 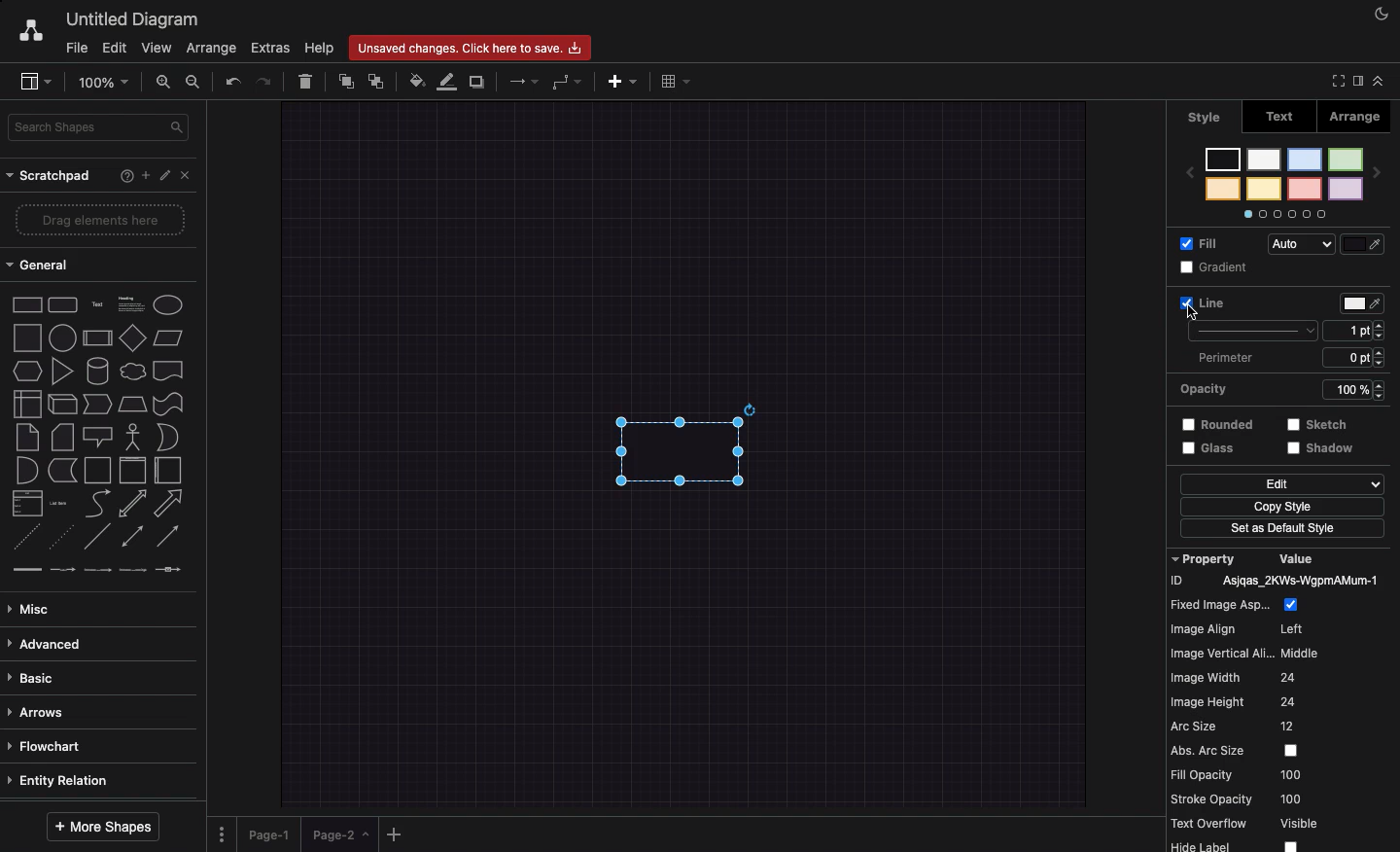 I want to click on Search shapes, so click(x=101, y=125).